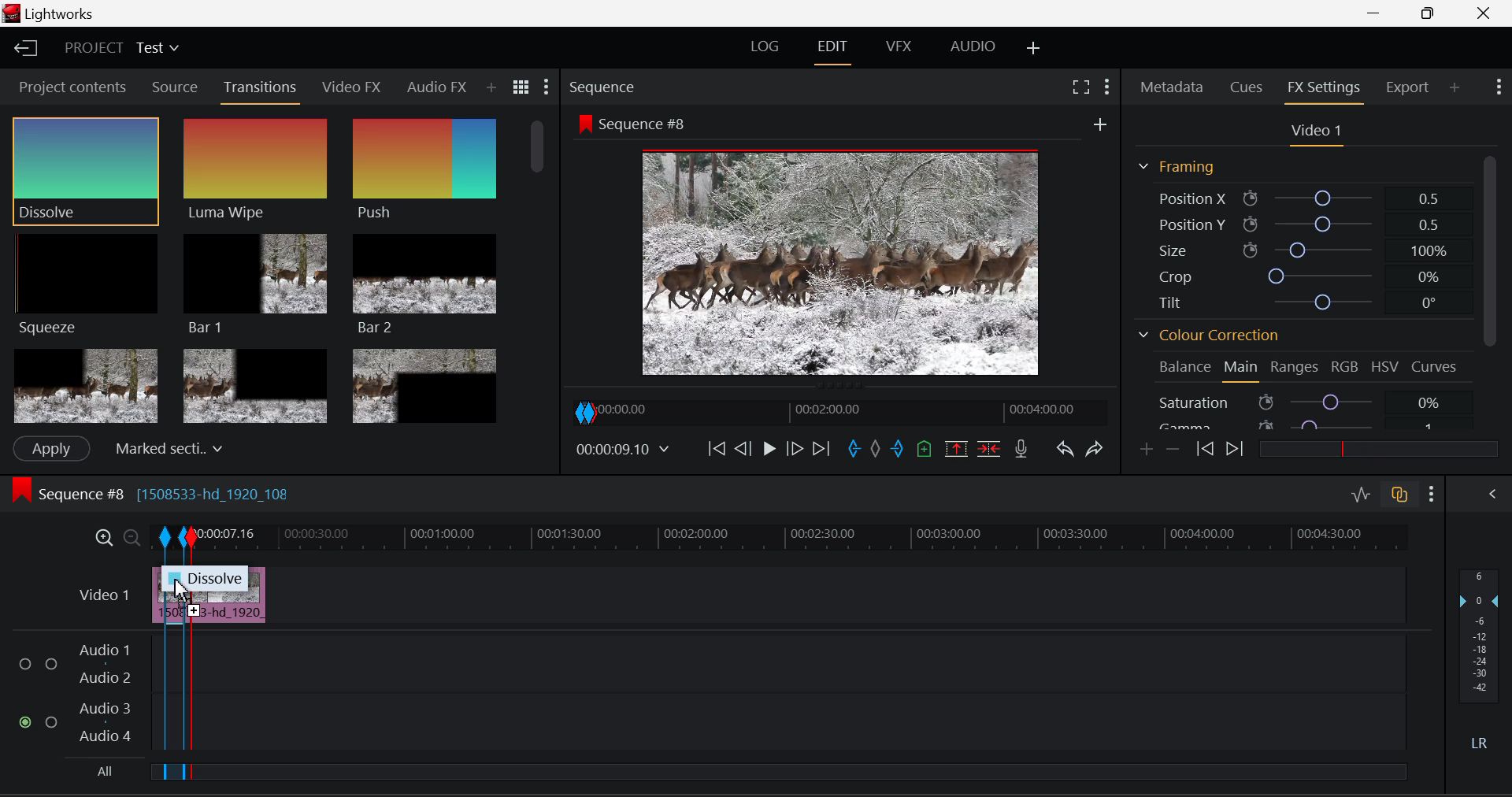 The width and height of the screenshot is (1512, 797). What do you see at coordinates (717, 450) in the screenshot?
I see `To start` at bounding box center [717, 450].